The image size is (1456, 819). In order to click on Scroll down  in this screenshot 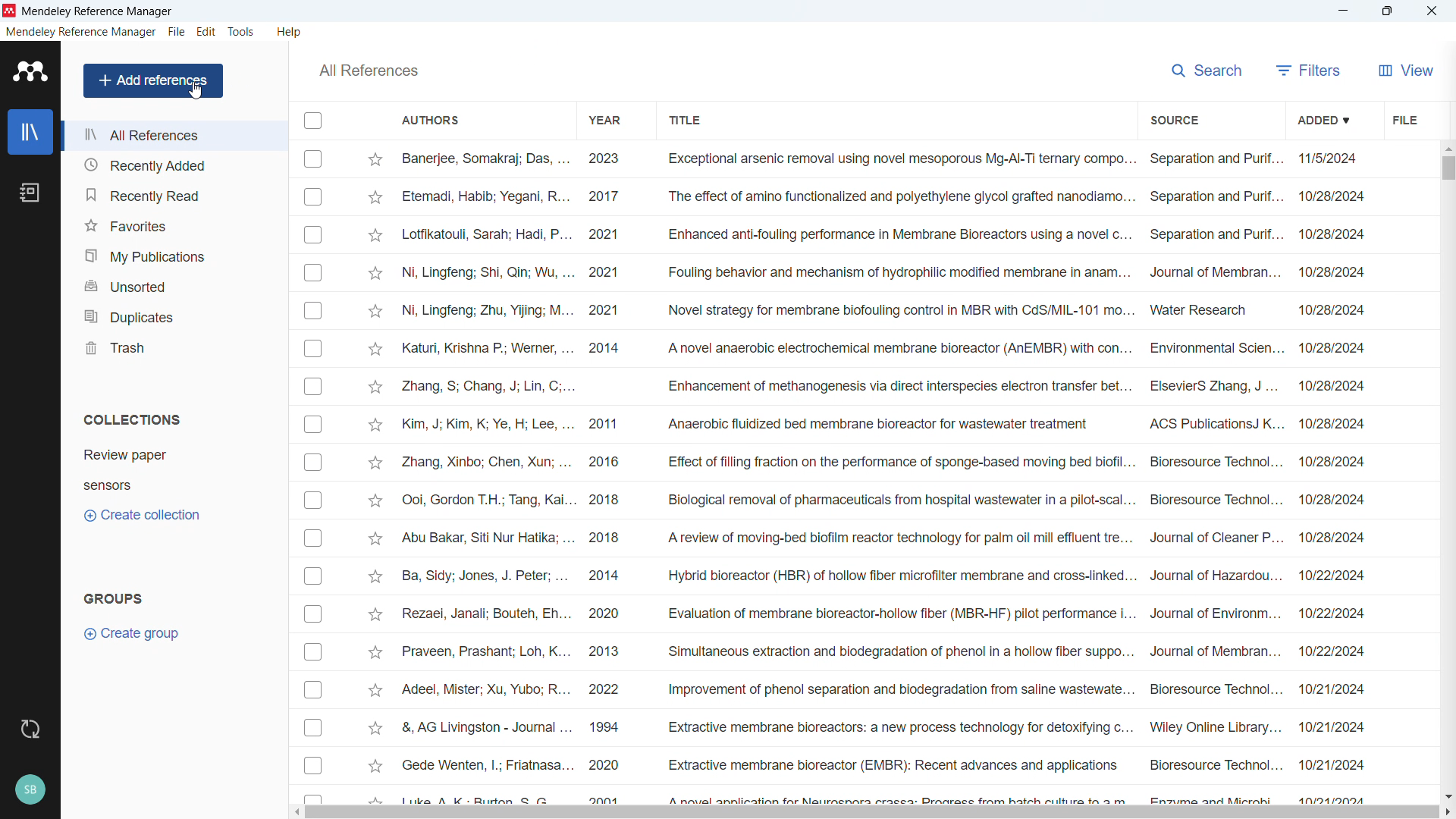, I will do `click(1447, 796)`.